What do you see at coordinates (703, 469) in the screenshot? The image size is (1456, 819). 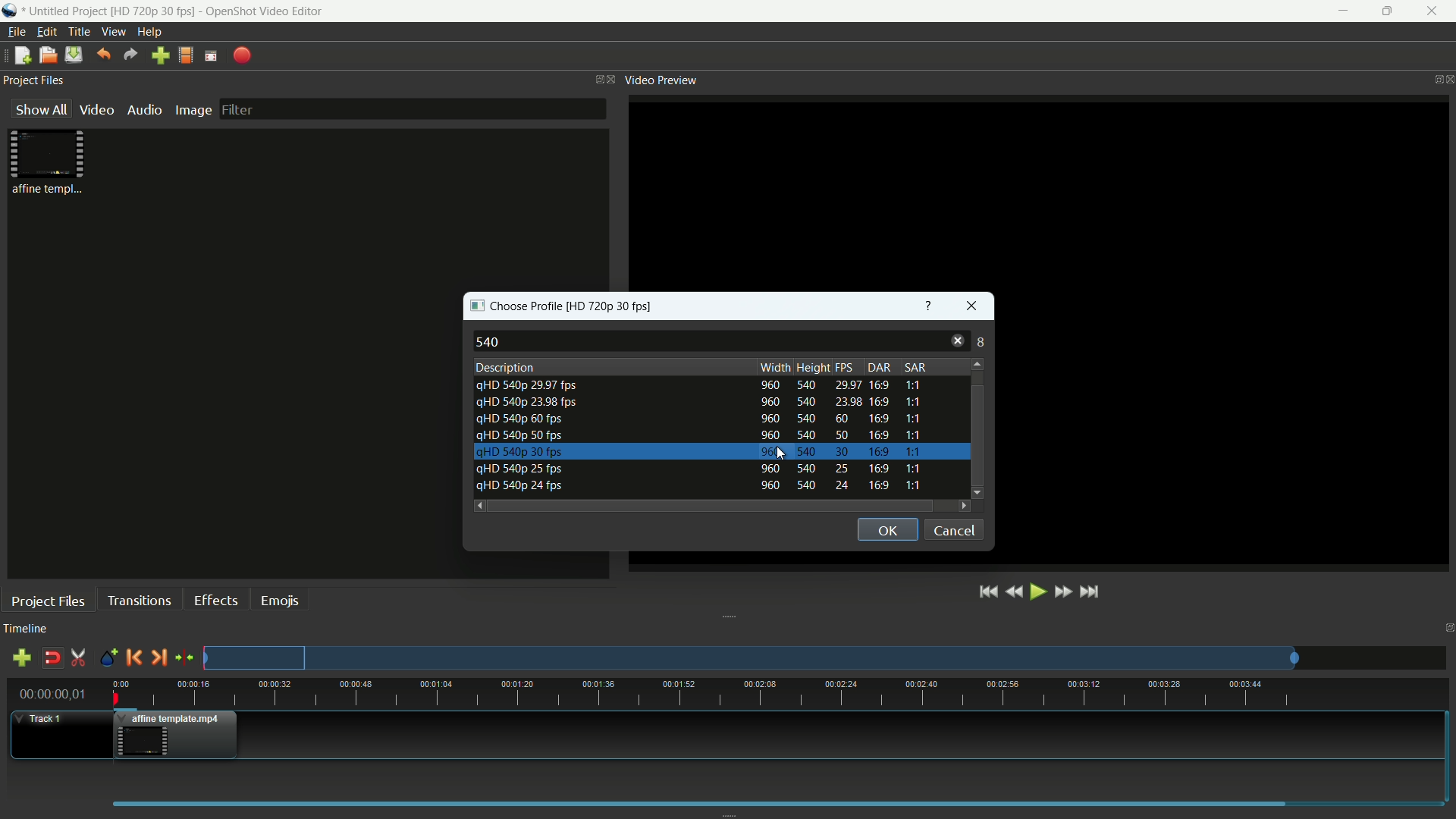 I see `profile-6` at bounding box center [703, 469].